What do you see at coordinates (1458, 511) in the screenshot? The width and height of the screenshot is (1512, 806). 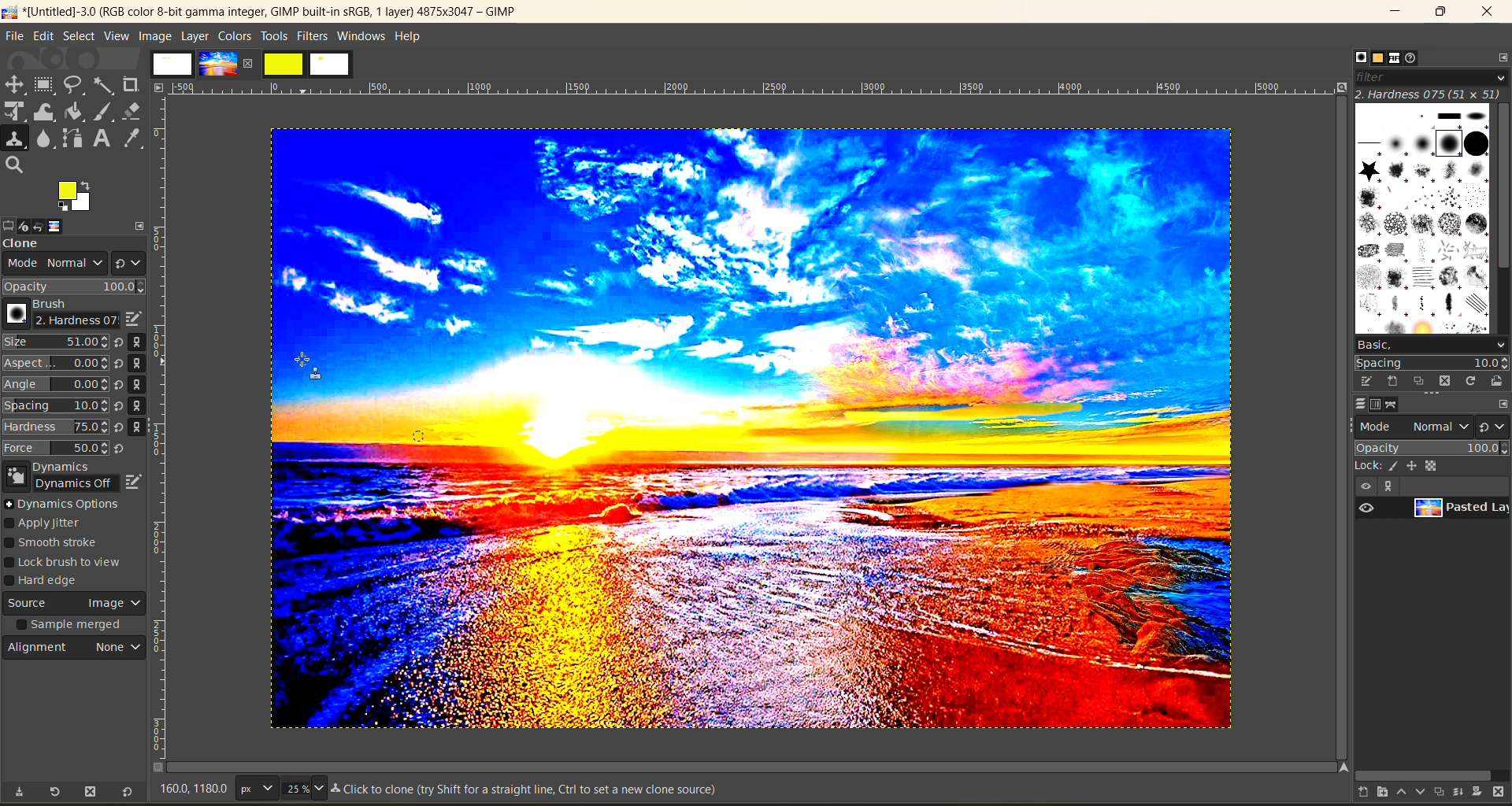 I see `layer` at bounding box center [1458, 511].